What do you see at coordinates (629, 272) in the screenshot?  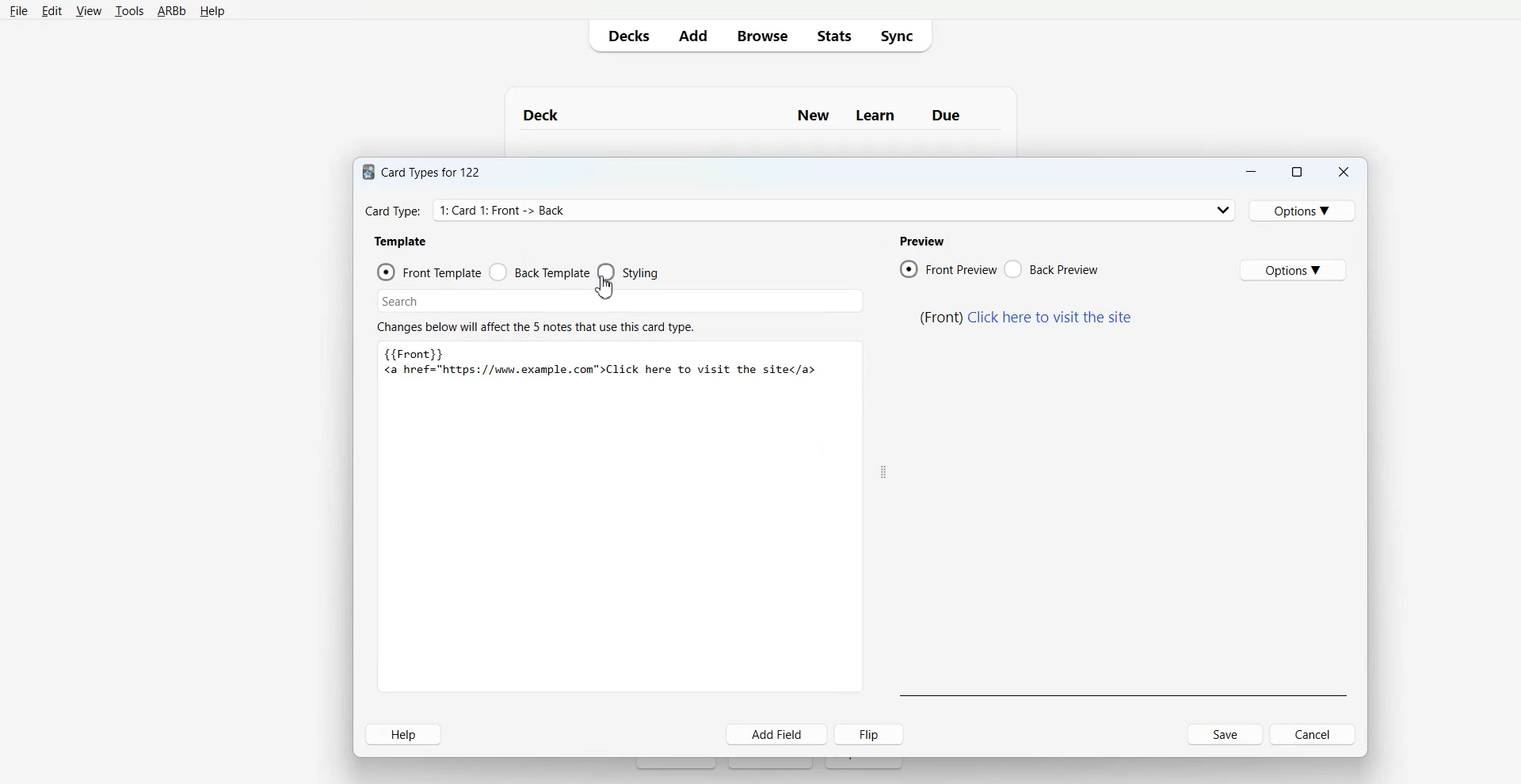 I see `Styling` at bounding box center [629, 272].